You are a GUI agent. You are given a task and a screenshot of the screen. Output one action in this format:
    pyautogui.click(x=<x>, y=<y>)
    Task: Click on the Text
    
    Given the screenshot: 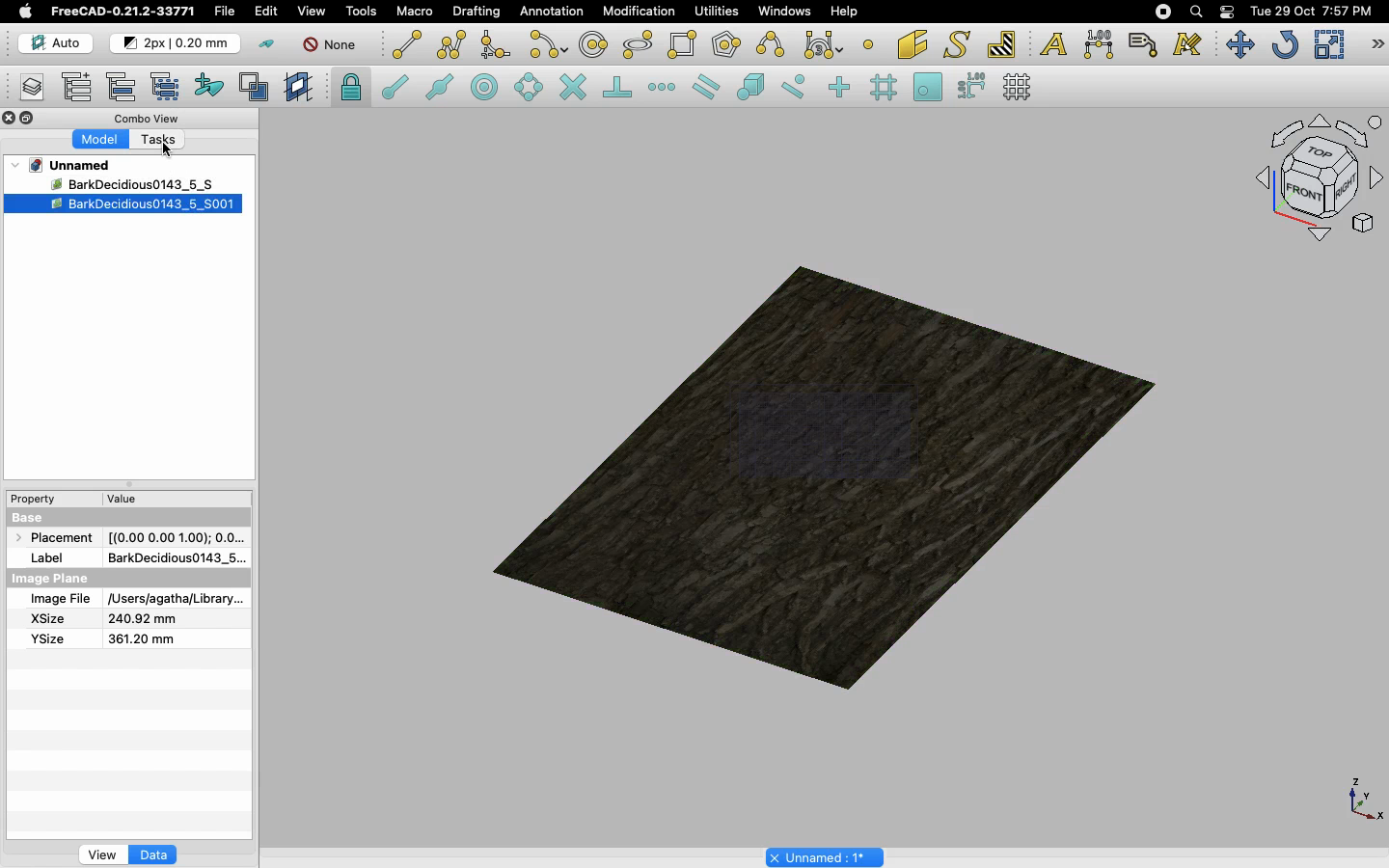 What is the action you would take?
    pyautogui.click(x=1053, y=45)
    